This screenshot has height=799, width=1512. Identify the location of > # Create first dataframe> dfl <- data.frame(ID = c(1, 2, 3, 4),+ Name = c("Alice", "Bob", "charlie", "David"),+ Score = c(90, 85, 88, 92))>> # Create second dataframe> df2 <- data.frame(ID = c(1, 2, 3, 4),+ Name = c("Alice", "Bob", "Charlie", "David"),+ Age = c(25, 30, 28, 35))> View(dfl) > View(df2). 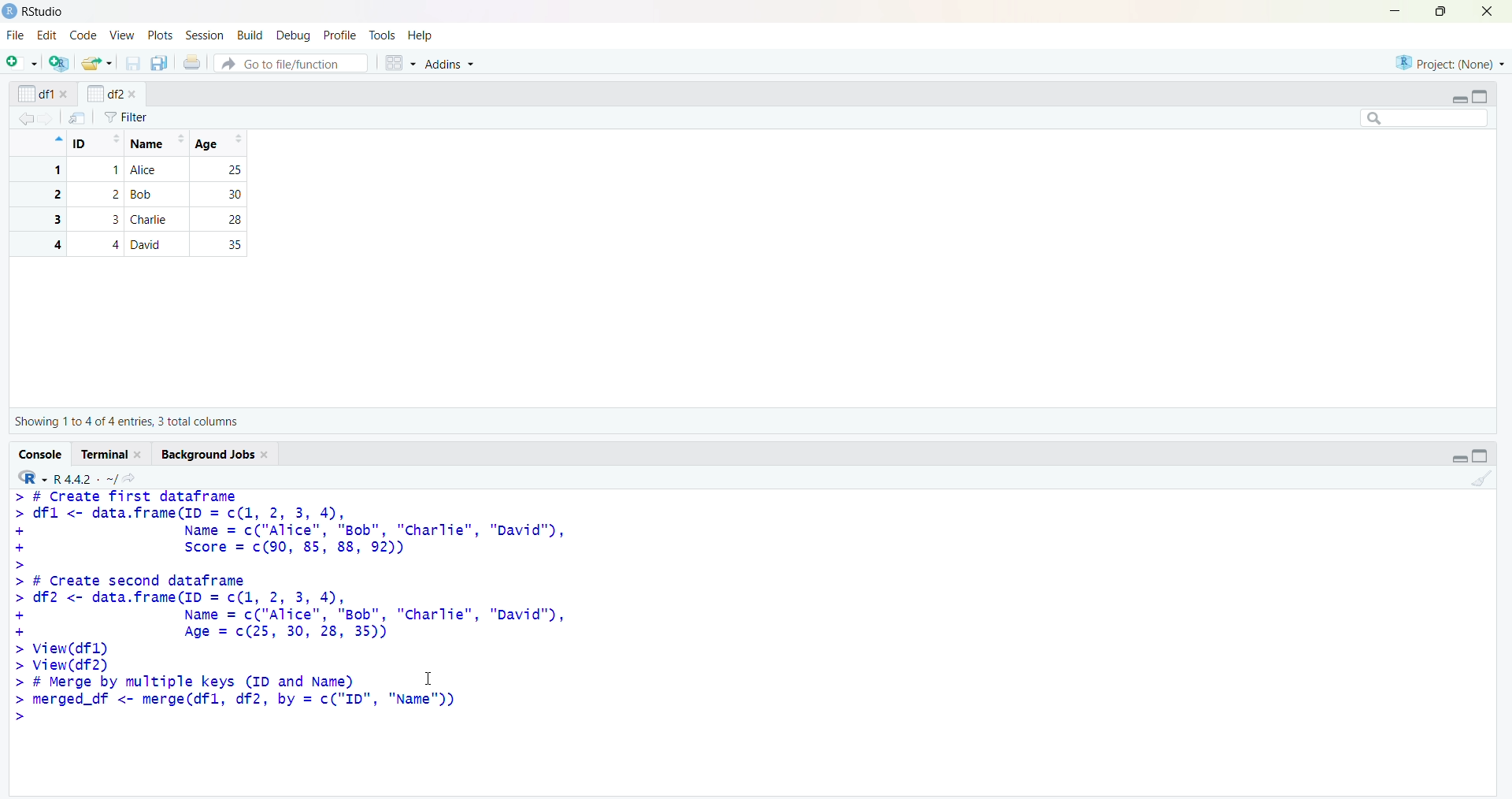
(291, 582).